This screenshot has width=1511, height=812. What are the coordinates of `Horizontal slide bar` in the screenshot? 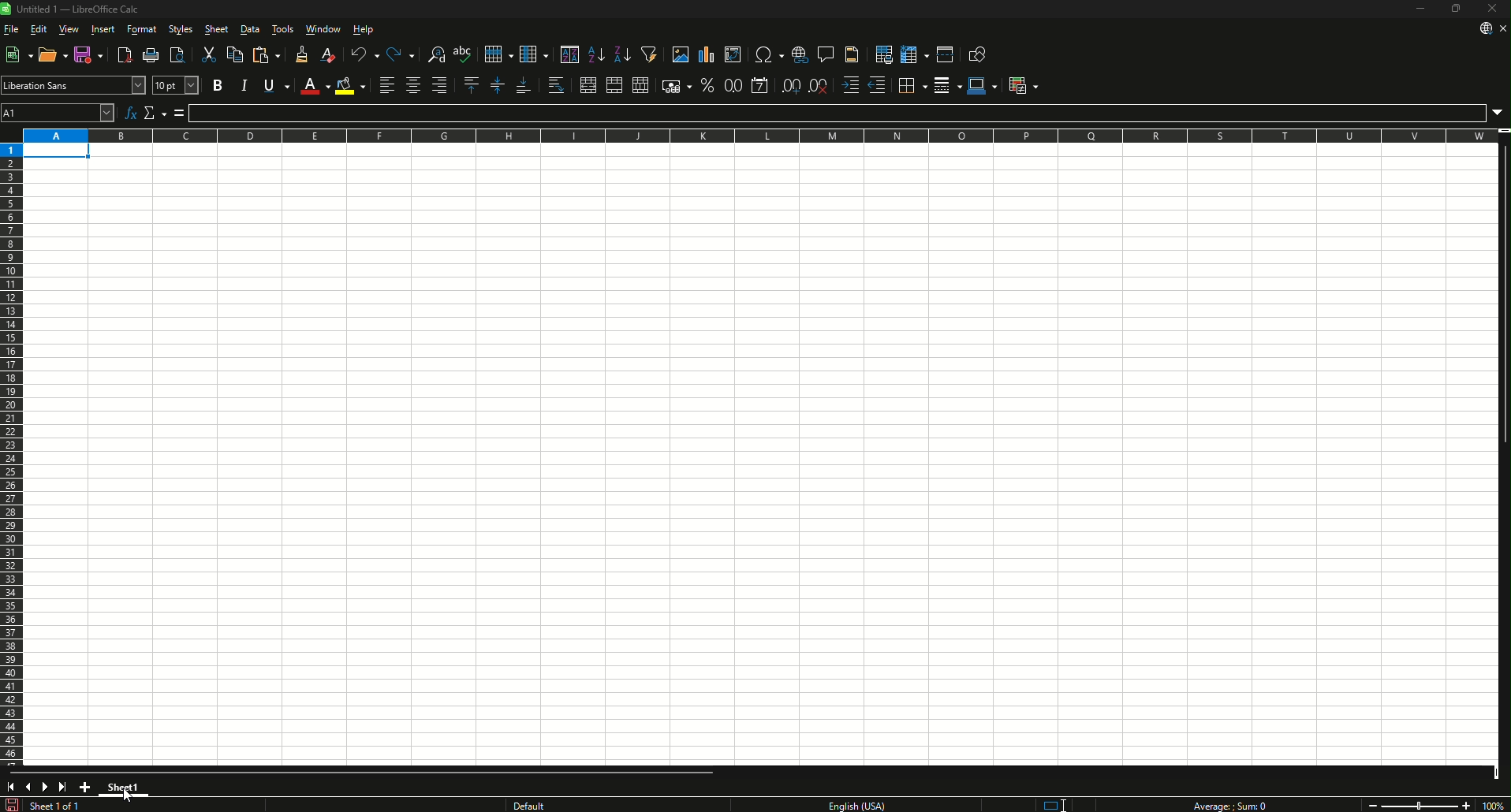 It's located at (365, 773).